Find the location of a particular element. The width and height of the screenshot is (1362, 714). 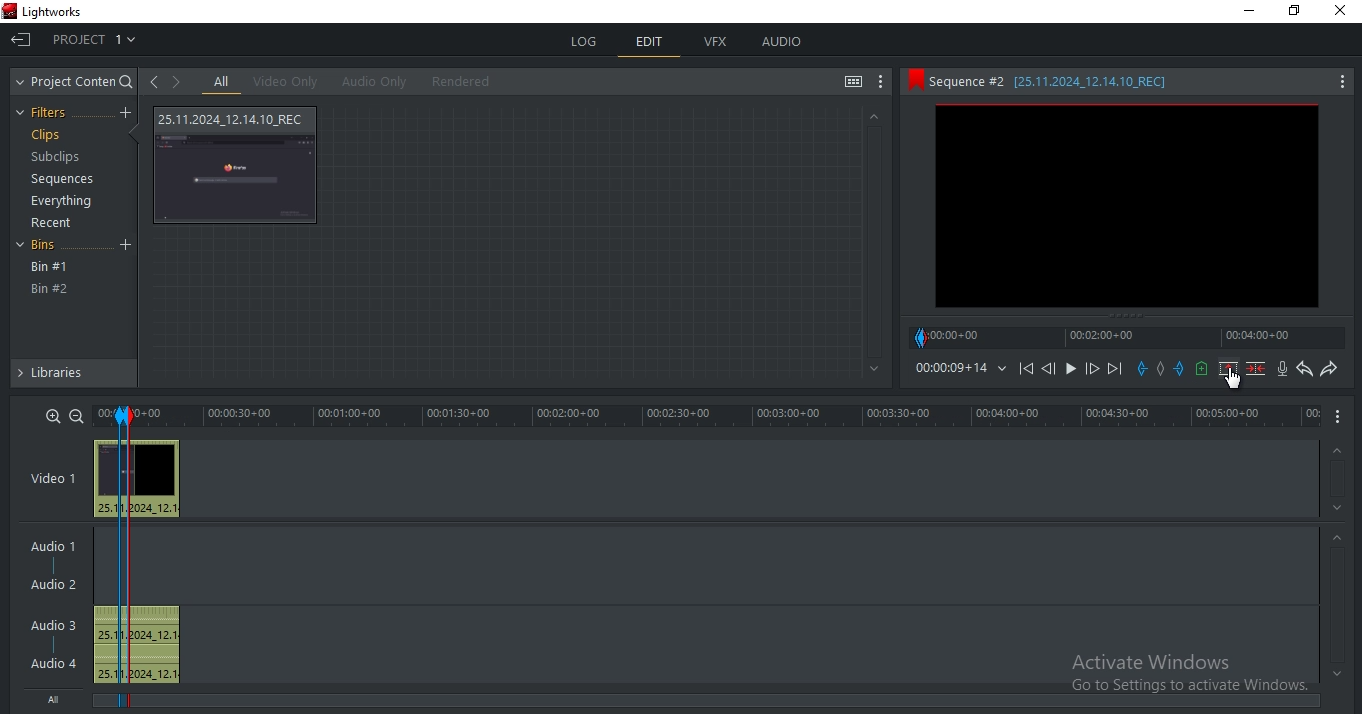

project content is located at coordinates (76, 82).